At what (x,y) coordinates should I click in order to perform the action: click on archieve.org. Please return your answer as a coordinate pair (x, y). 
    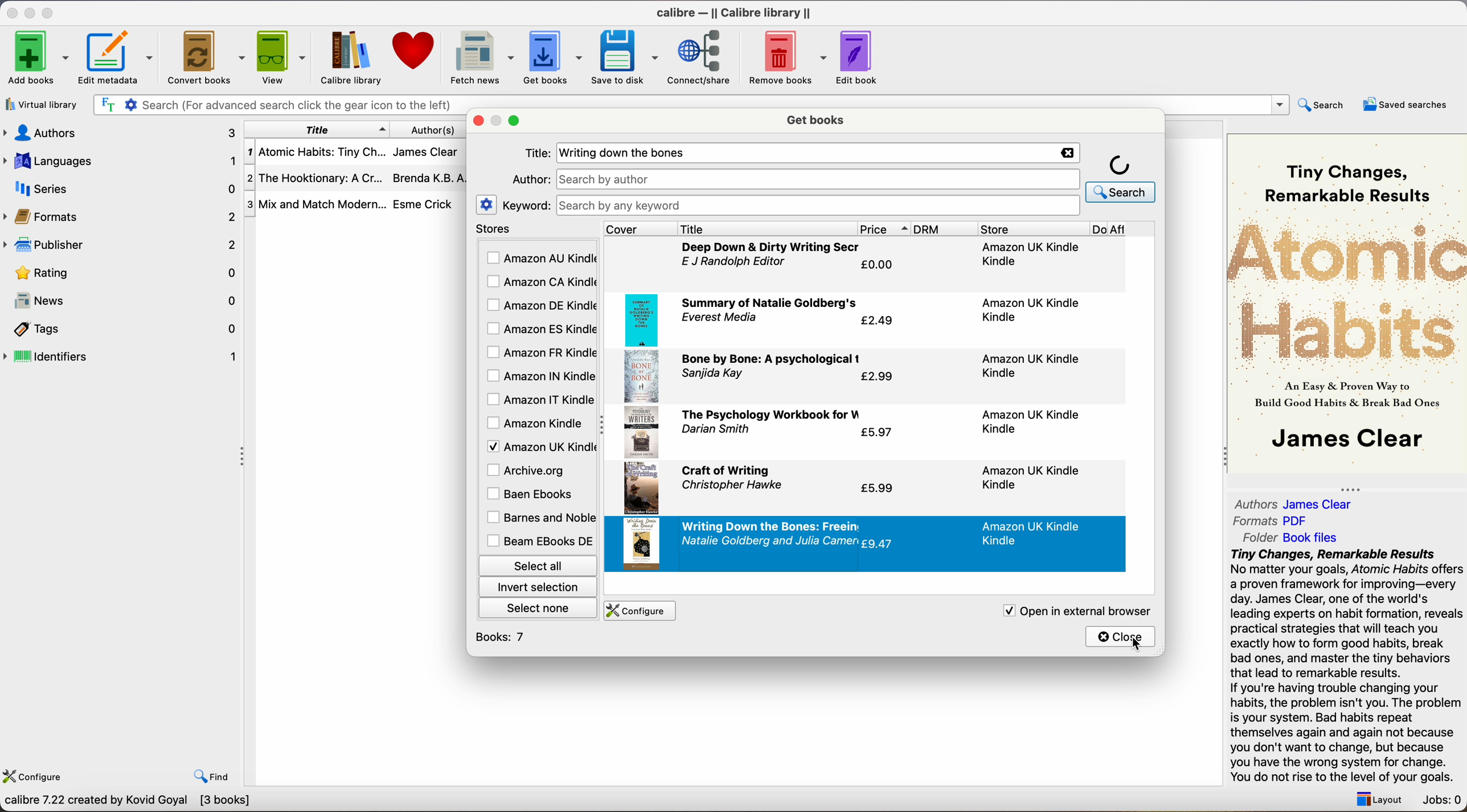
    Looking at the image, I should click on (528, 470).